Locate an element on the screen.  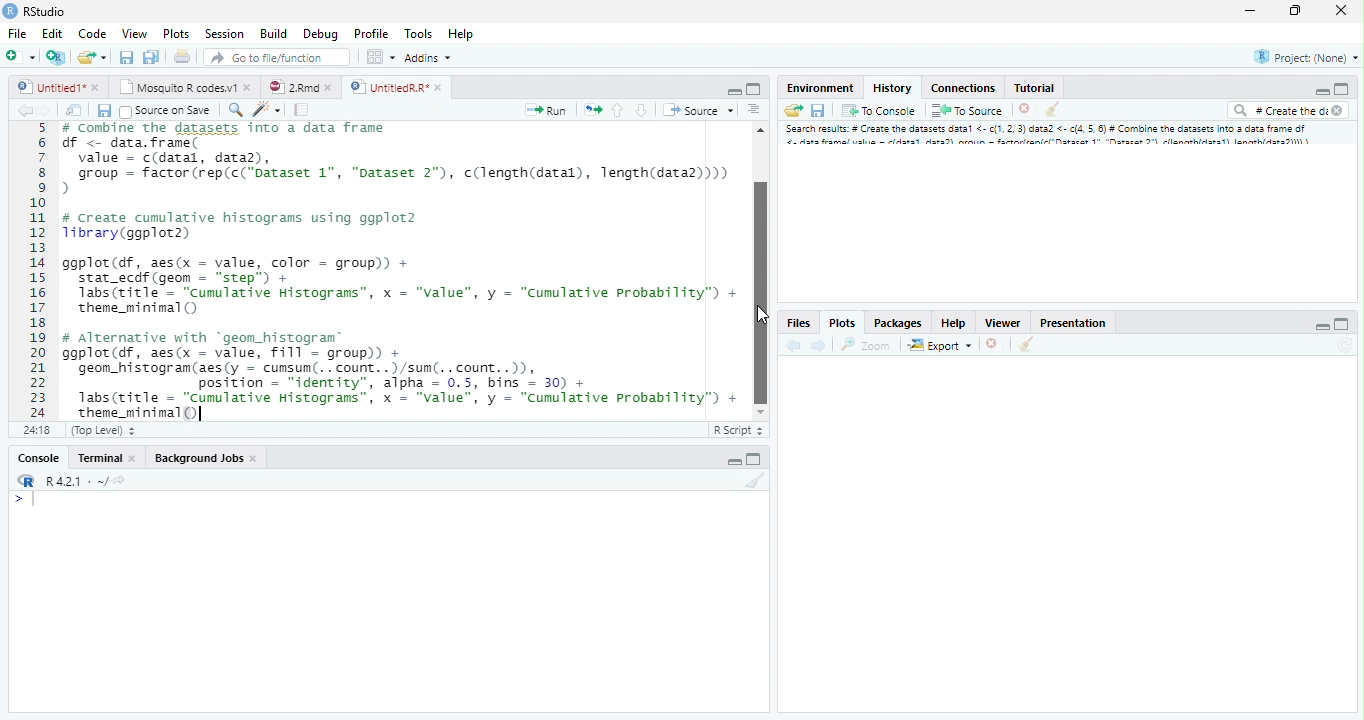
Zoom is located at coordinates (864, 346).